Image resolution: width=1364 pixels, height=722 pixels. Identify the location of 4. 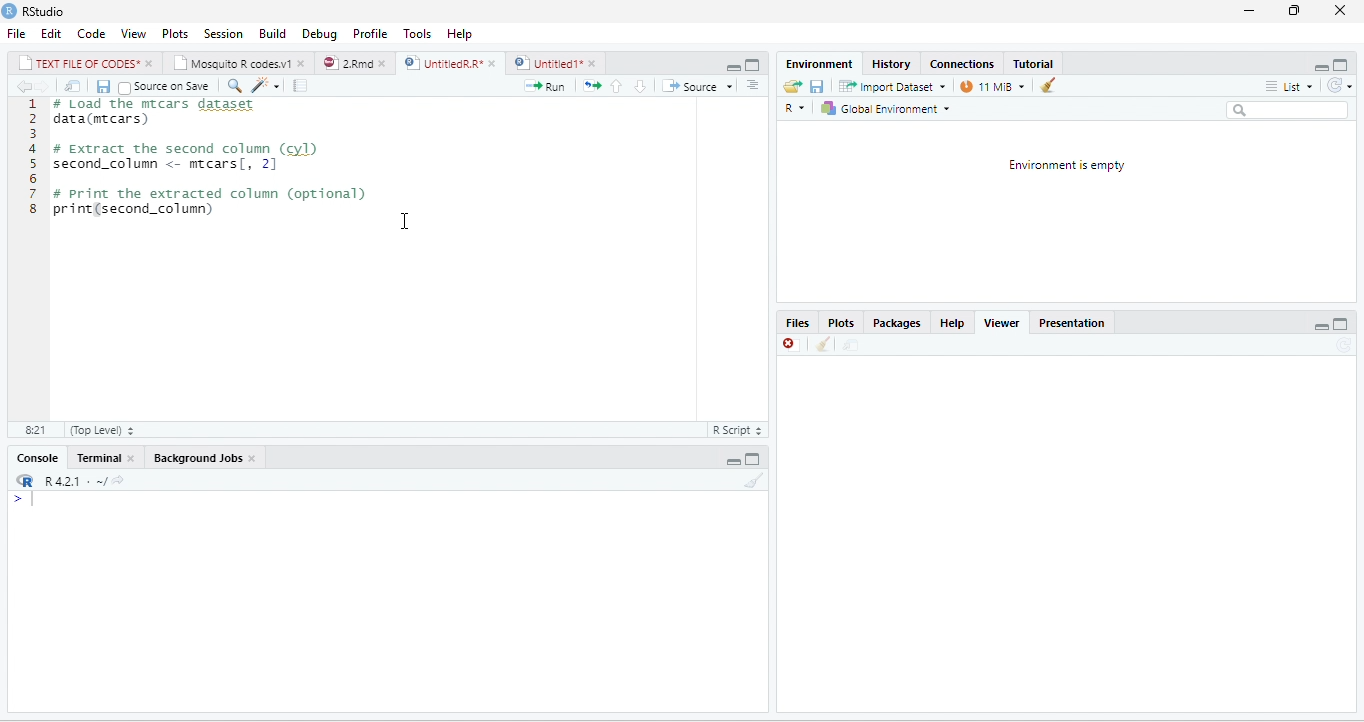
(32, 149).